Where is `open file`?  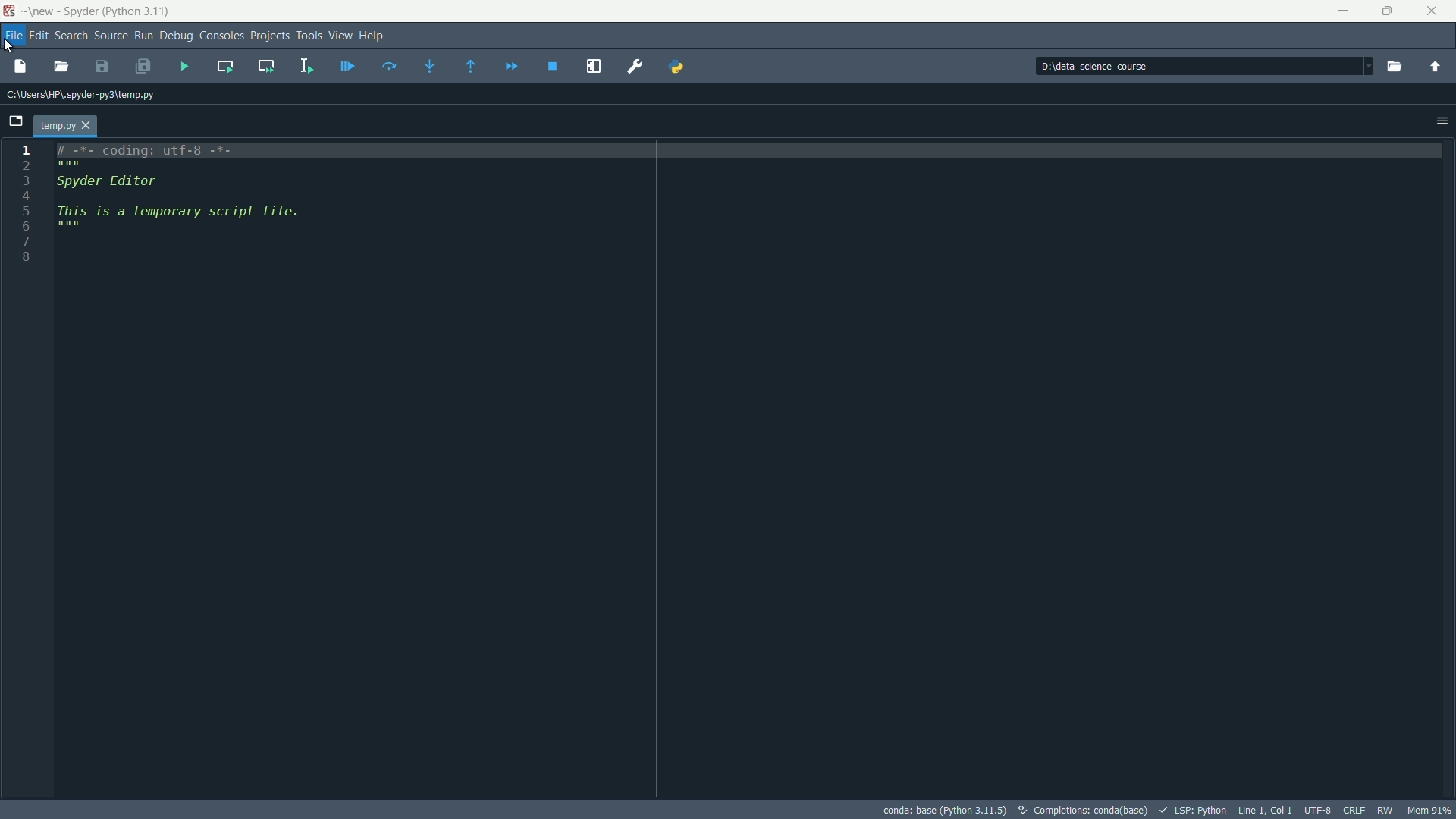 open file is located at coordinates (59, 66).